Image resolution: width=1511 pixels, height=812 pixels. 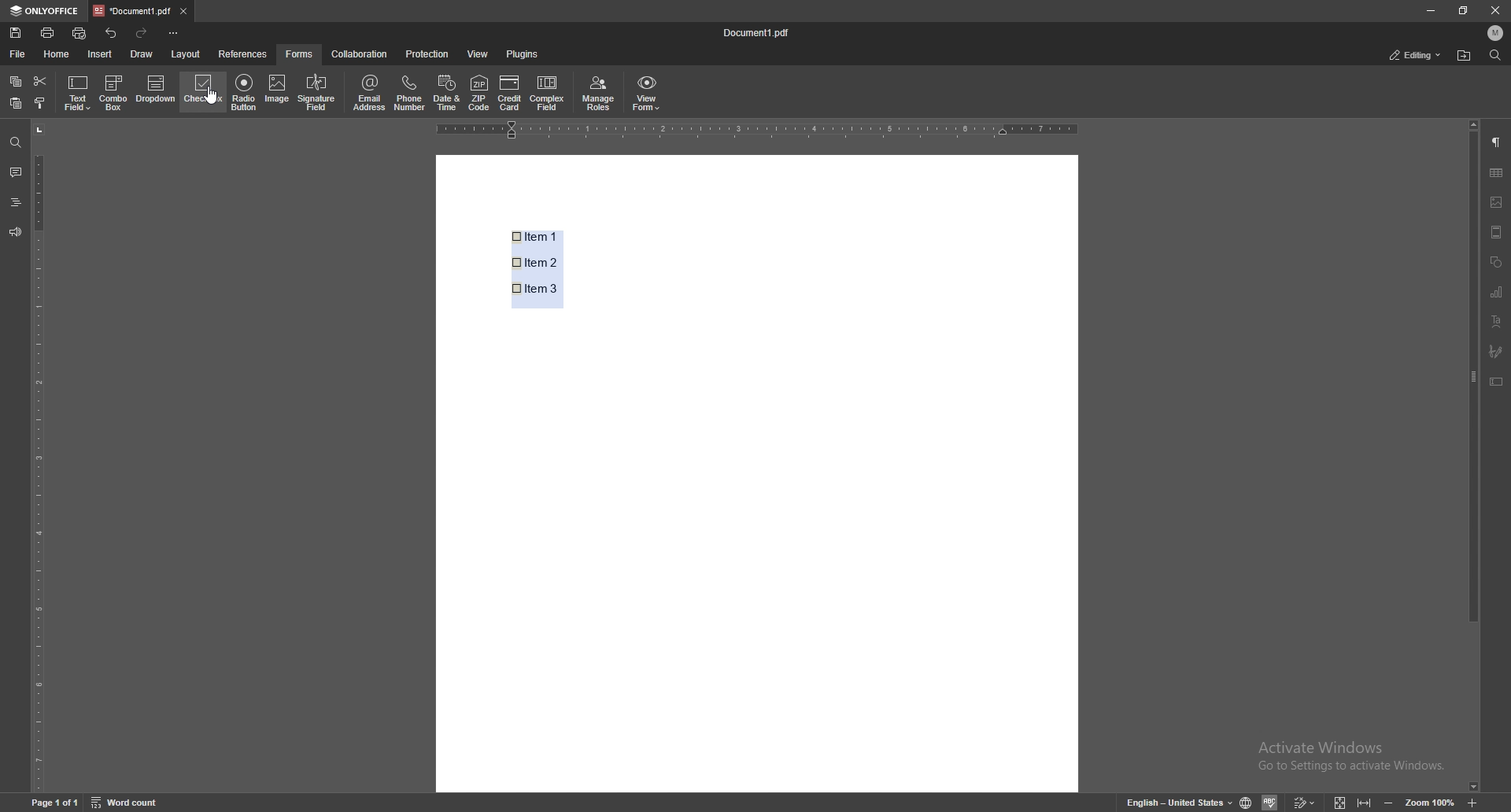 I want to click on date and time, so click(x=447, y=92).